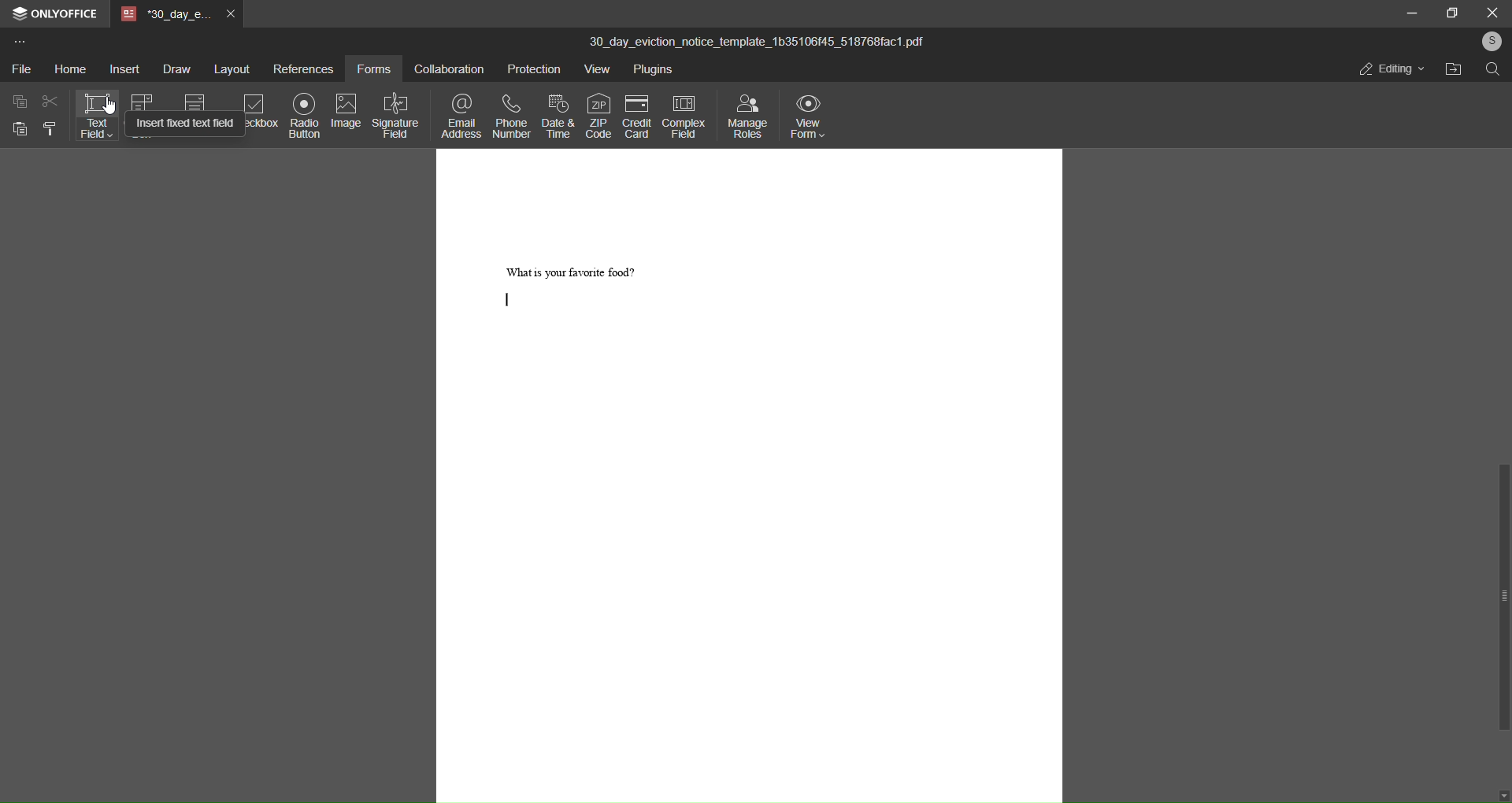  Describe the element at coordinates (599, 117) in the screenshot. I see `zip code` at that location.